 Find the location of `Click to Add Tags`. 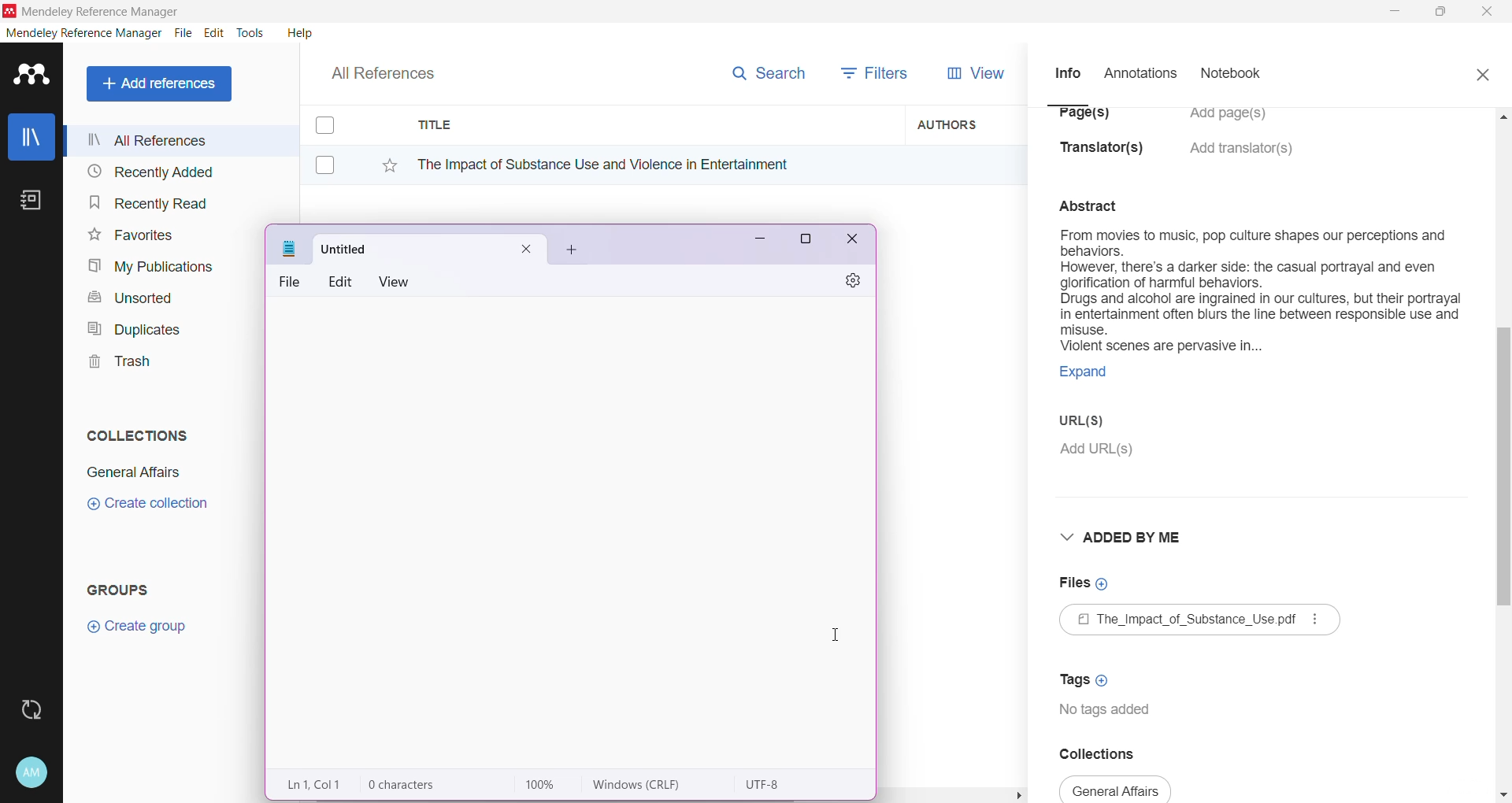

Click to Add Tags is located at coordinates (1088, 675).